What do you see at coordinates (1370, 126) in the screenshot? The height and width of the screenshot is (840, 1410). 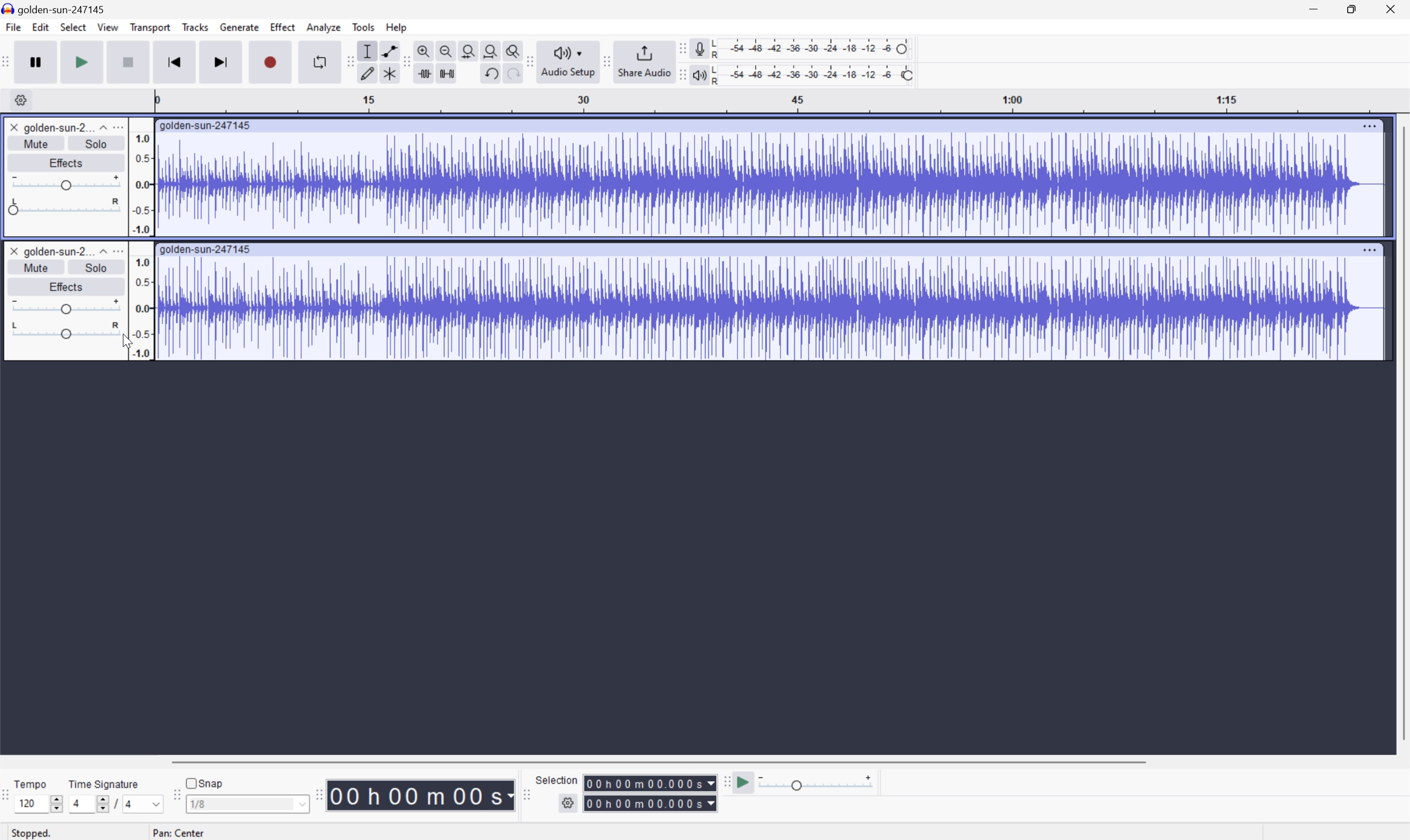 I see `More` at bounding box center [1370, 126].